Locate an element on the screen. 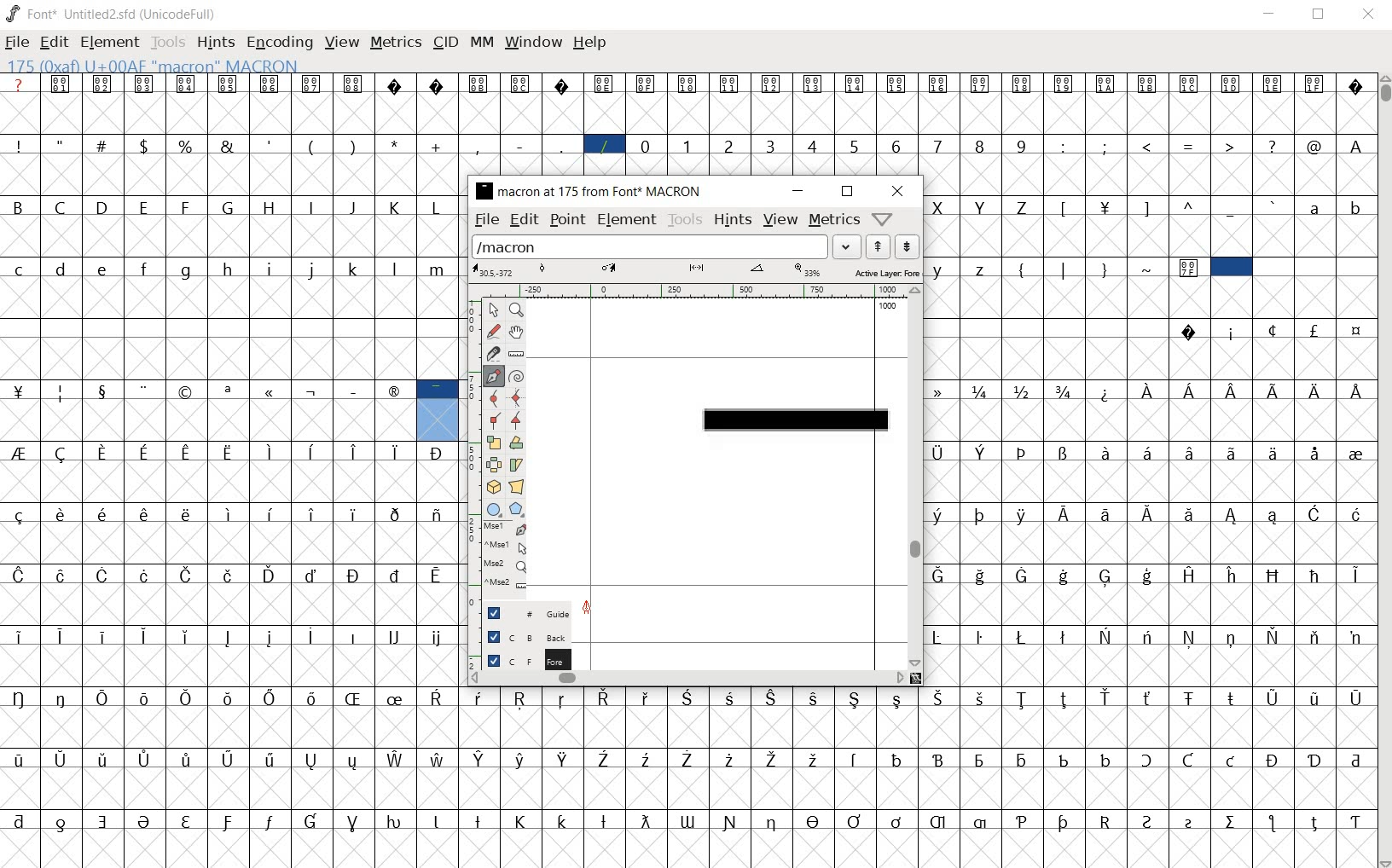 The height and width of the screenshot is (868, 1392). cid is located at coordinates (445, 43).